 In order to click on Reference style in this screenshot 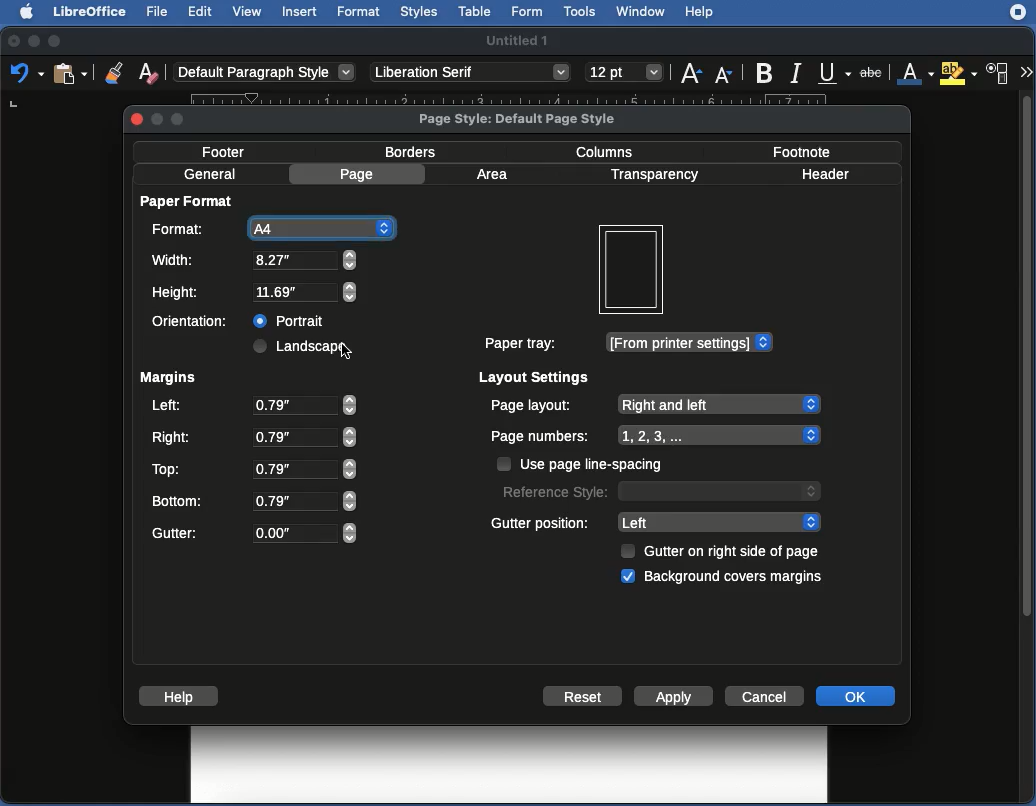, I will do `click(661, 493)`.